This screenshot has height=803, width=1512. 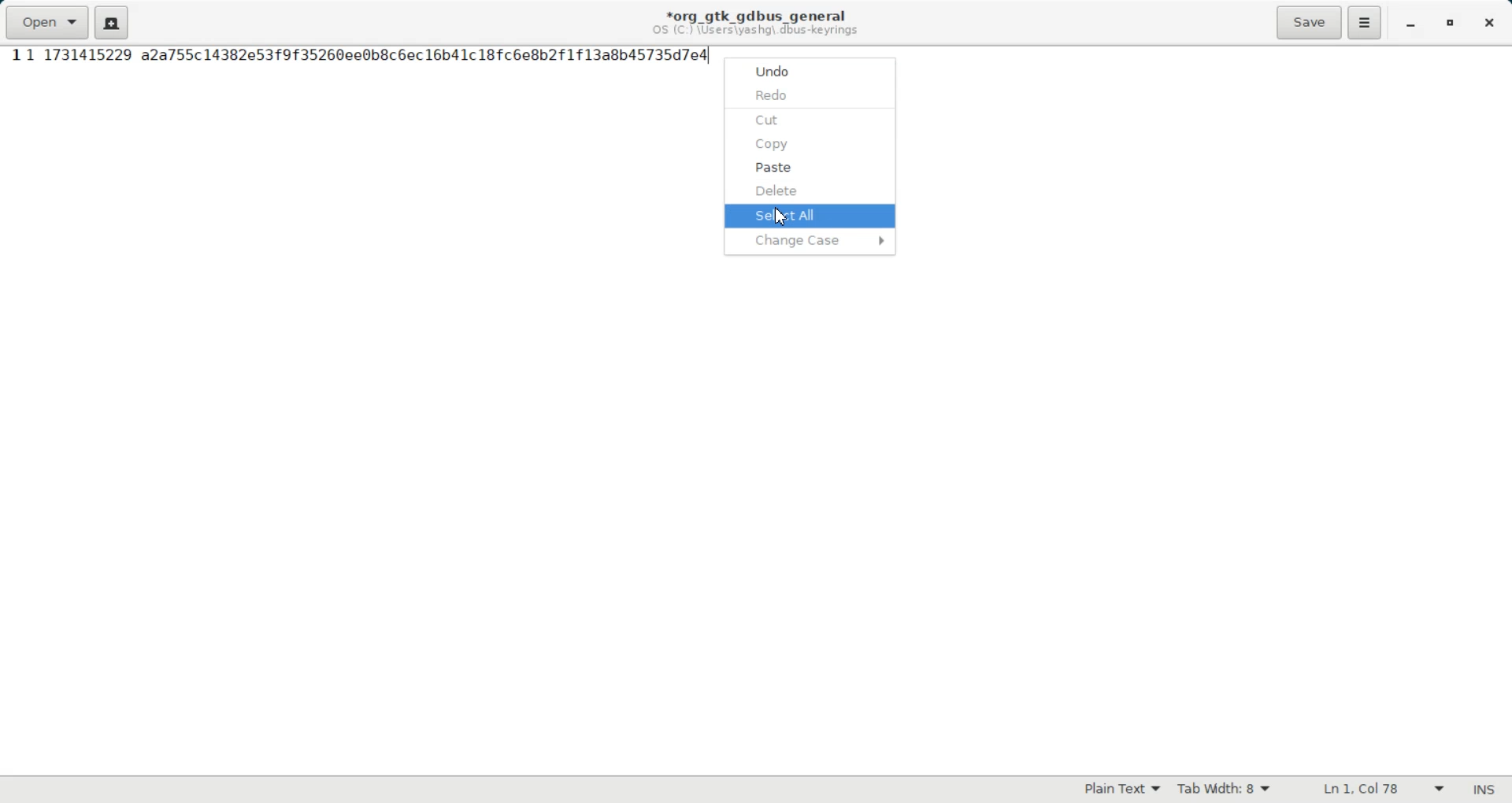 I want to click on Close, so click(x=1488, y=24).